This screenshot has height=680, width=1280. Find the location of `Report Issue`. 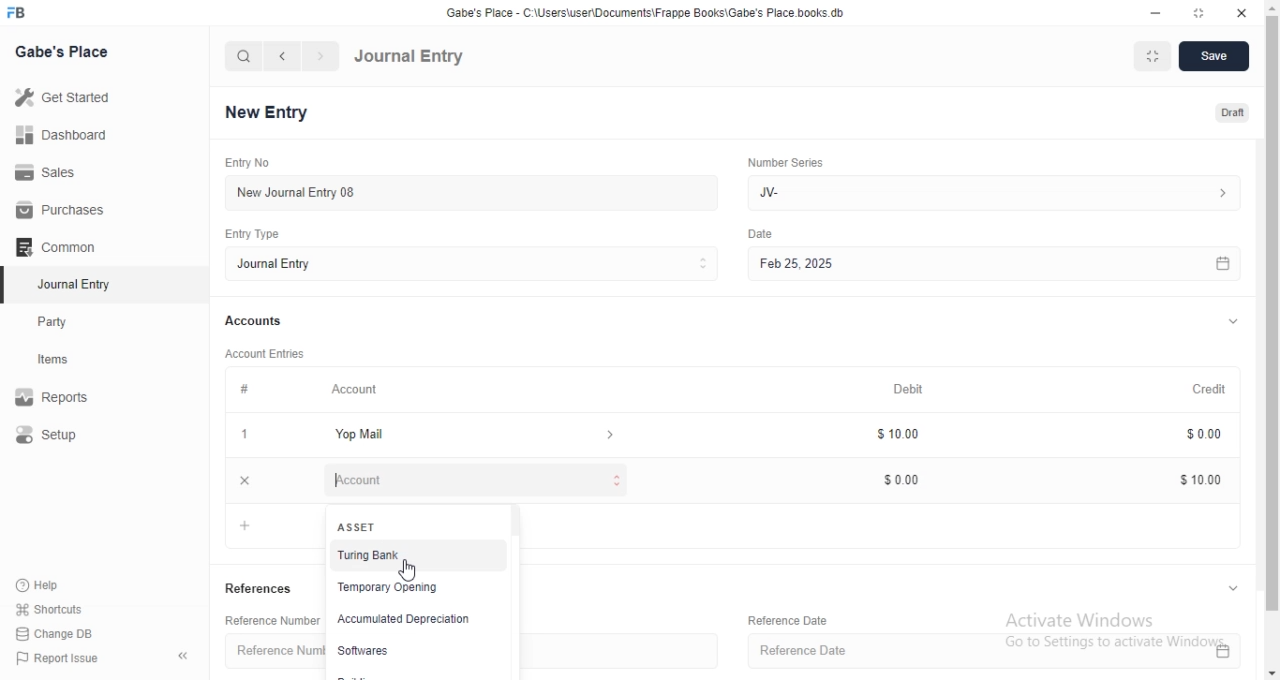

Report Issue is located at coordinates (67, 658).